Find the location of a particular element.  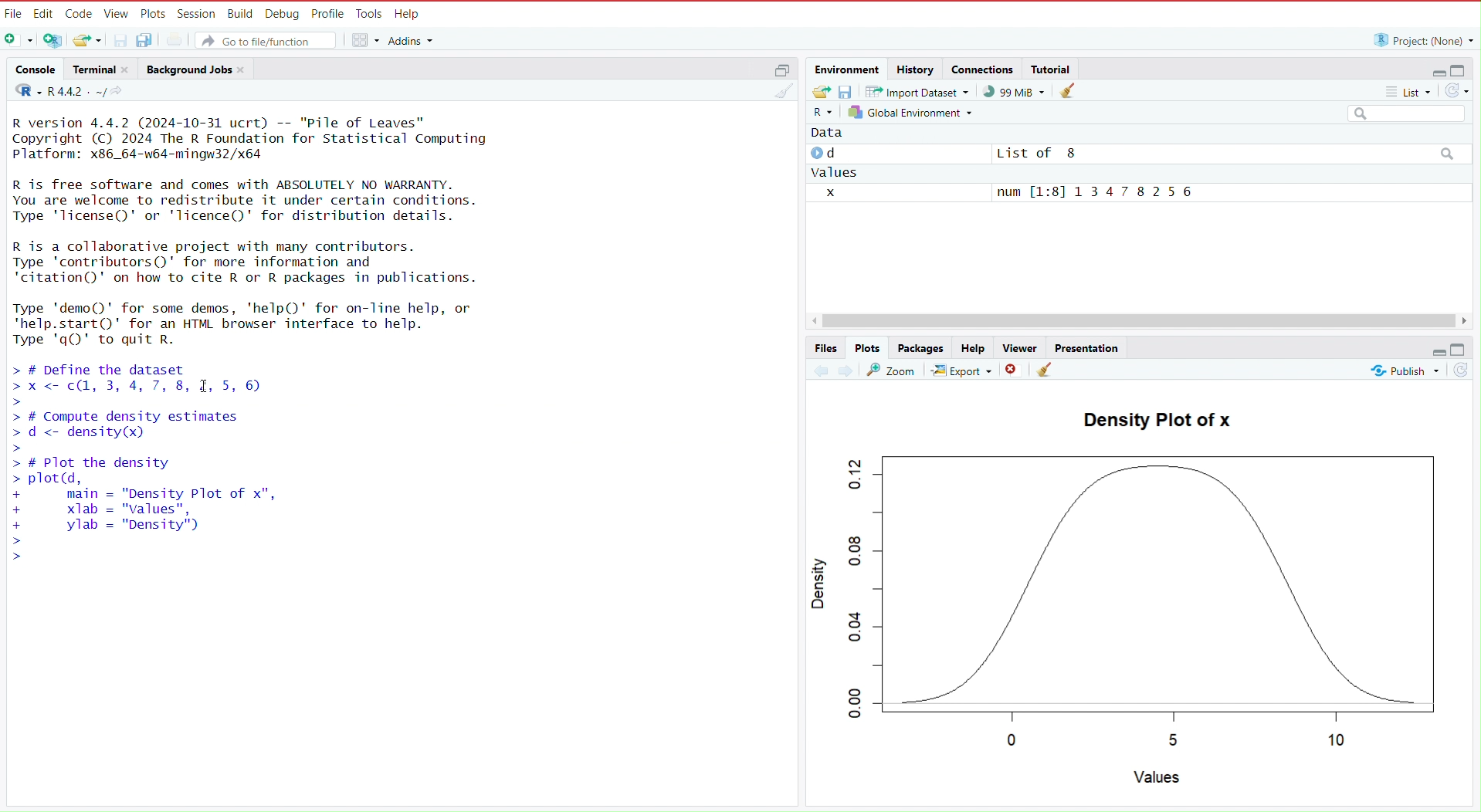

project: (None) is located at coordinates (1422, 40).